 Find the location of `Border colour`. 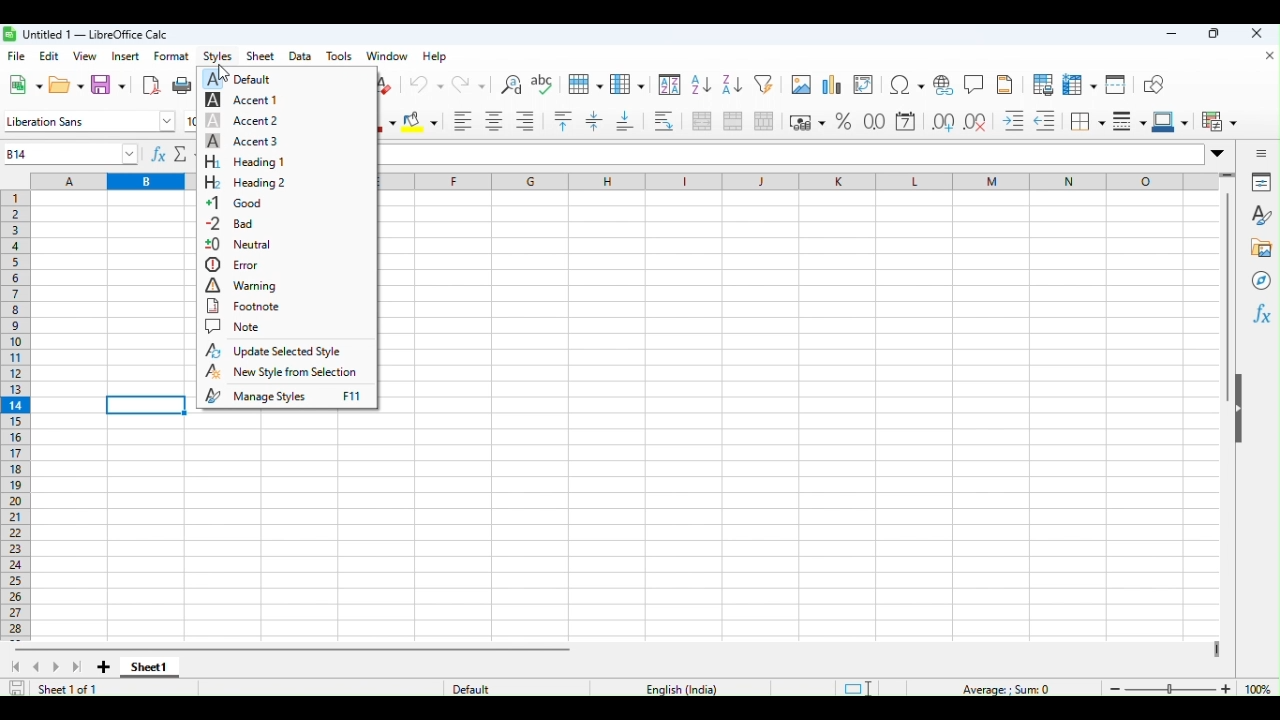

Border colour is located at coordinates (1171, 124).